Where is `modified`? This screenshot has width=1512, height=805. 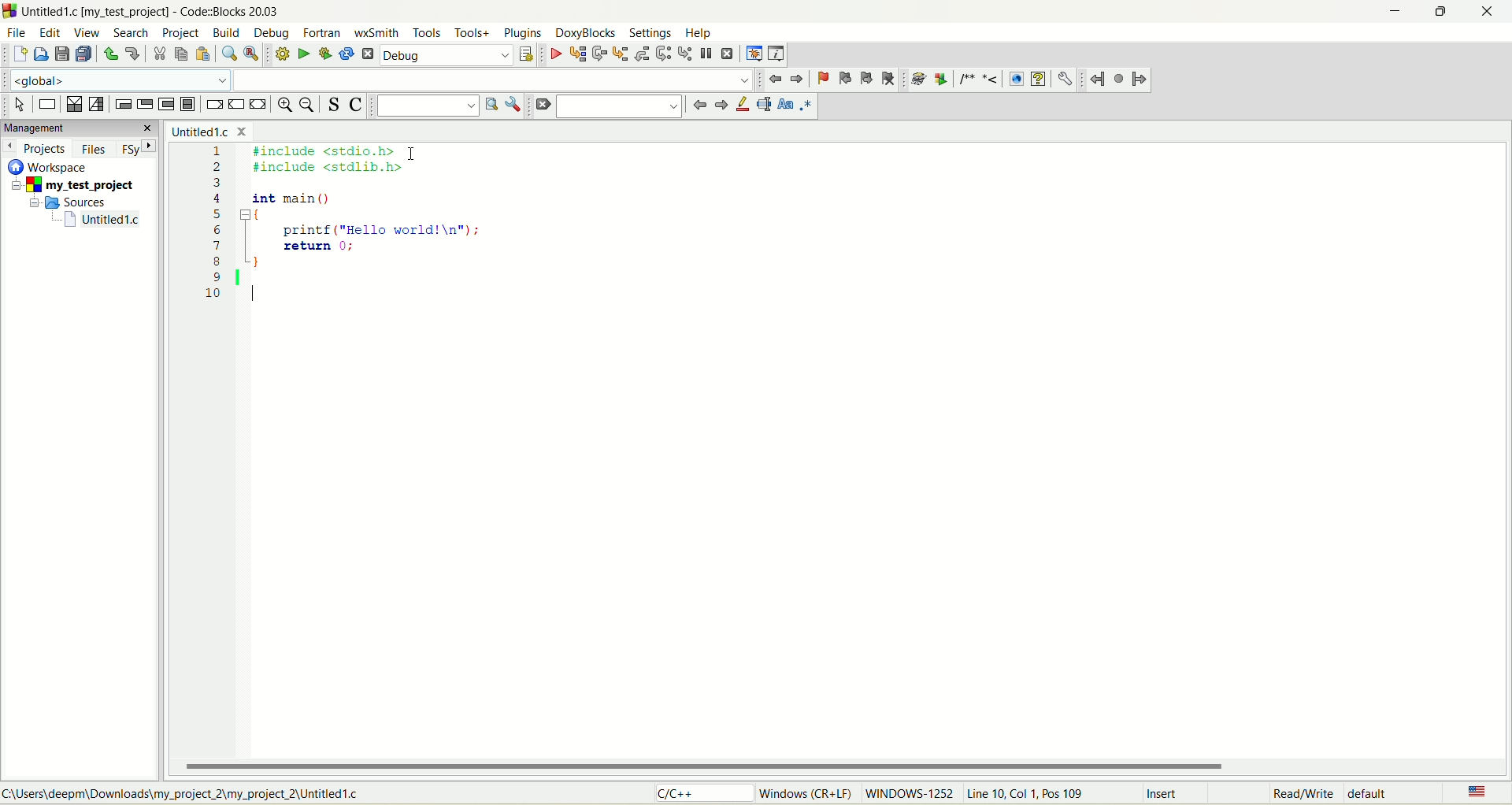 modified is located at coordinates (1230, 793).